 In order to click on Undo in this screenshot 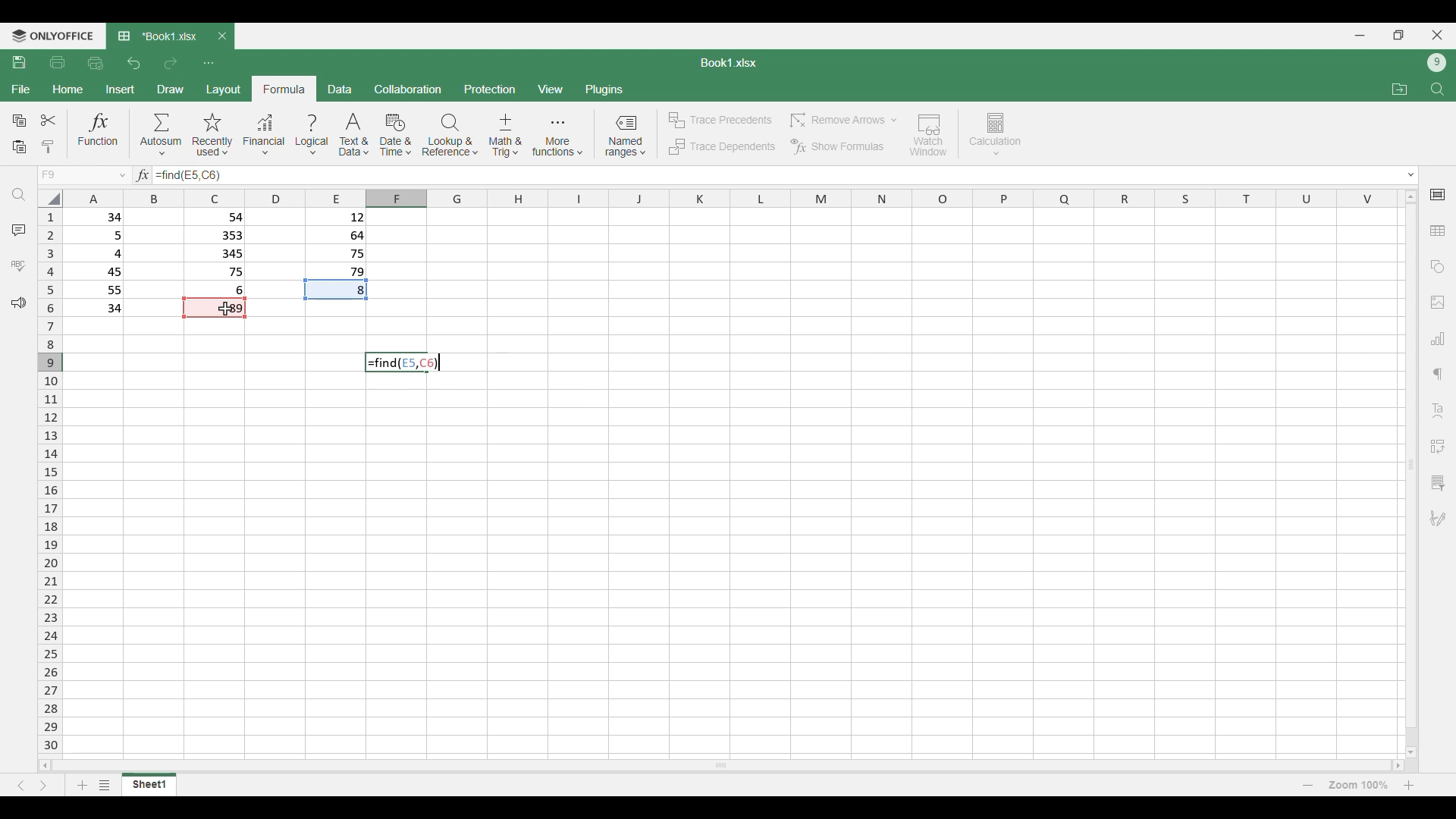, I will do `click(135, 63)`.